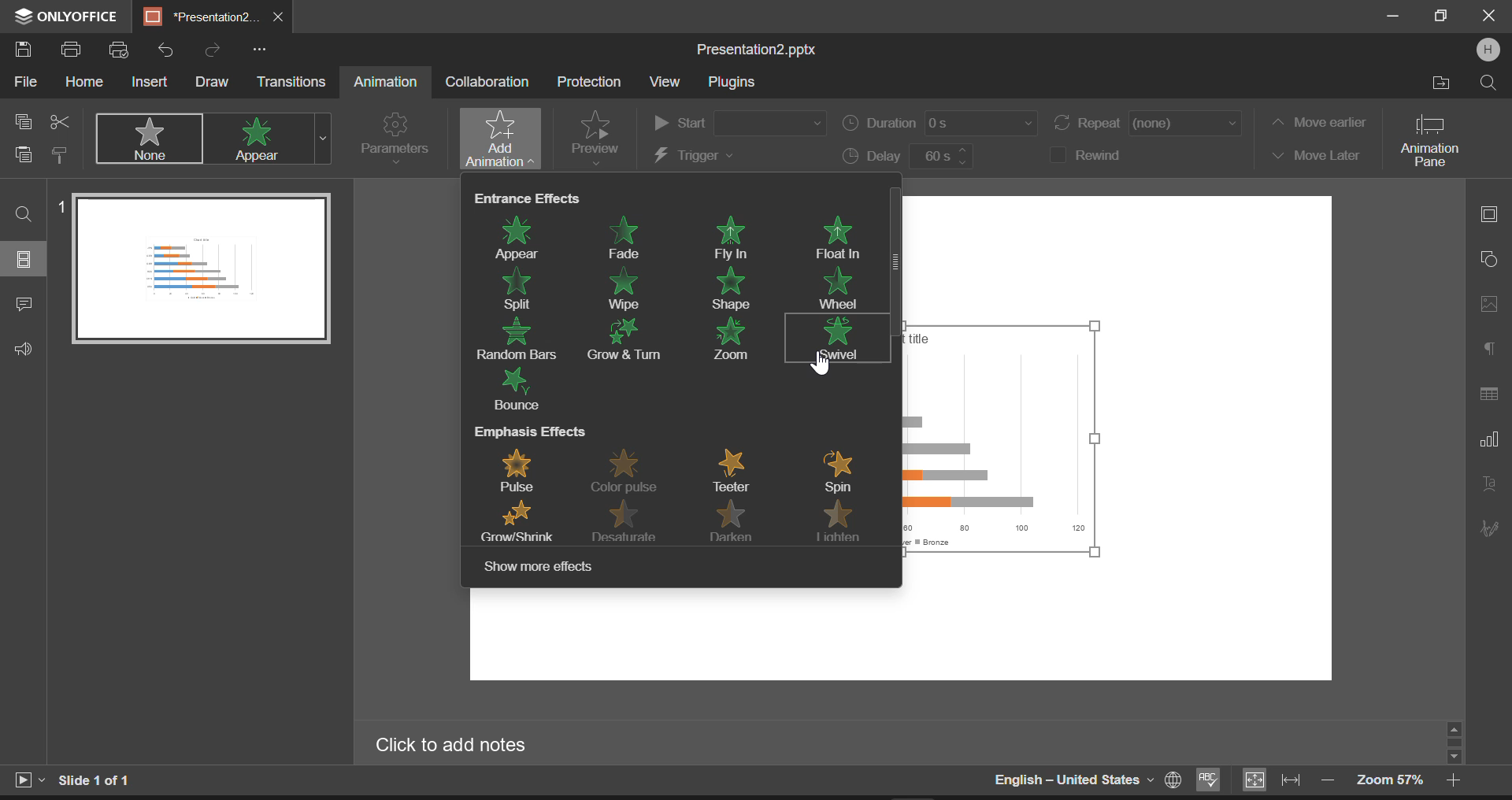  I want to click on Slide 1, so click(195, 268).